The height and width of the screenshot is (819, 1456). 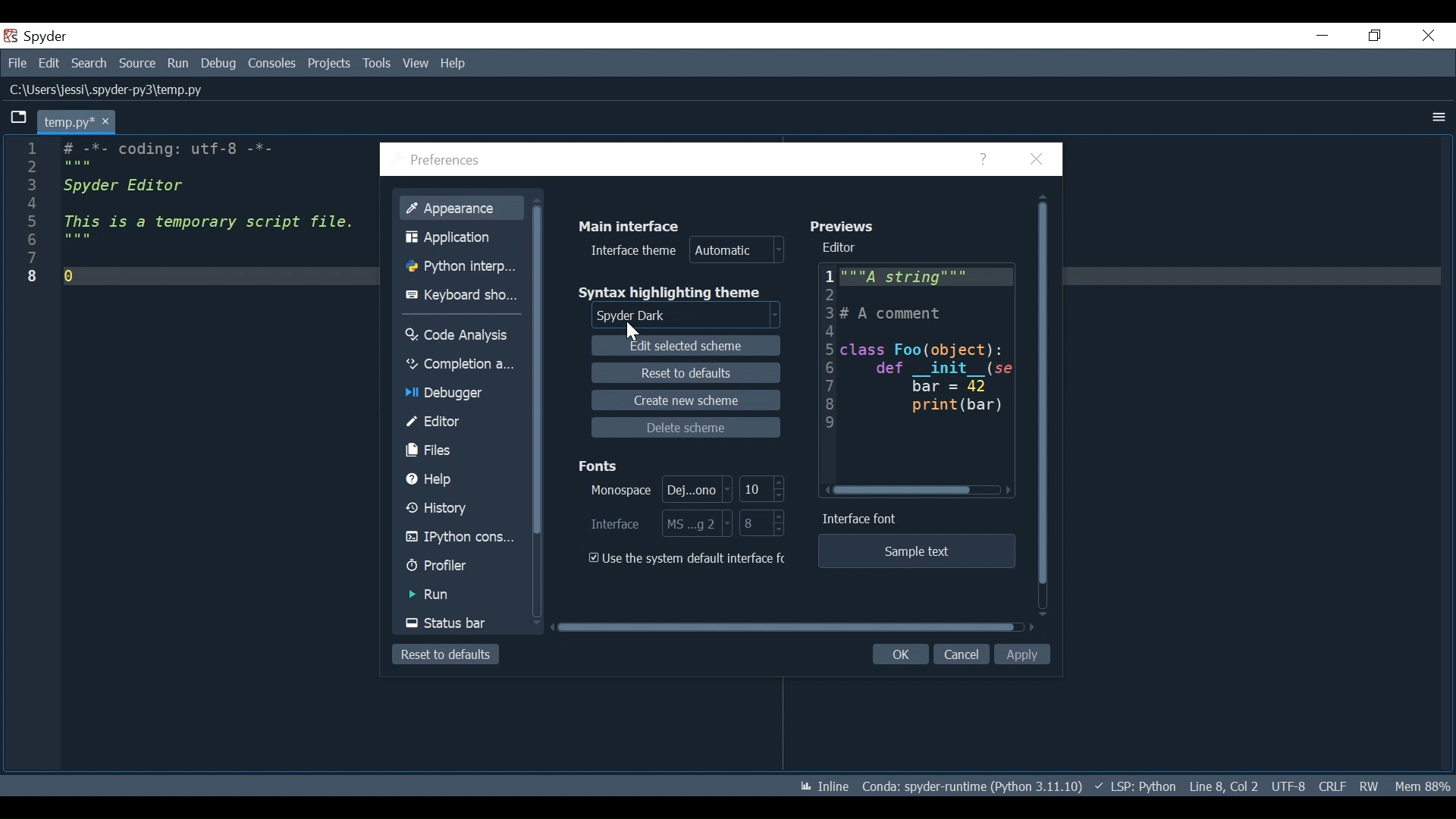 What do you see at coordinates (180, 64) in the screenshot?
I see `Run` at bounding box center [180, 64].